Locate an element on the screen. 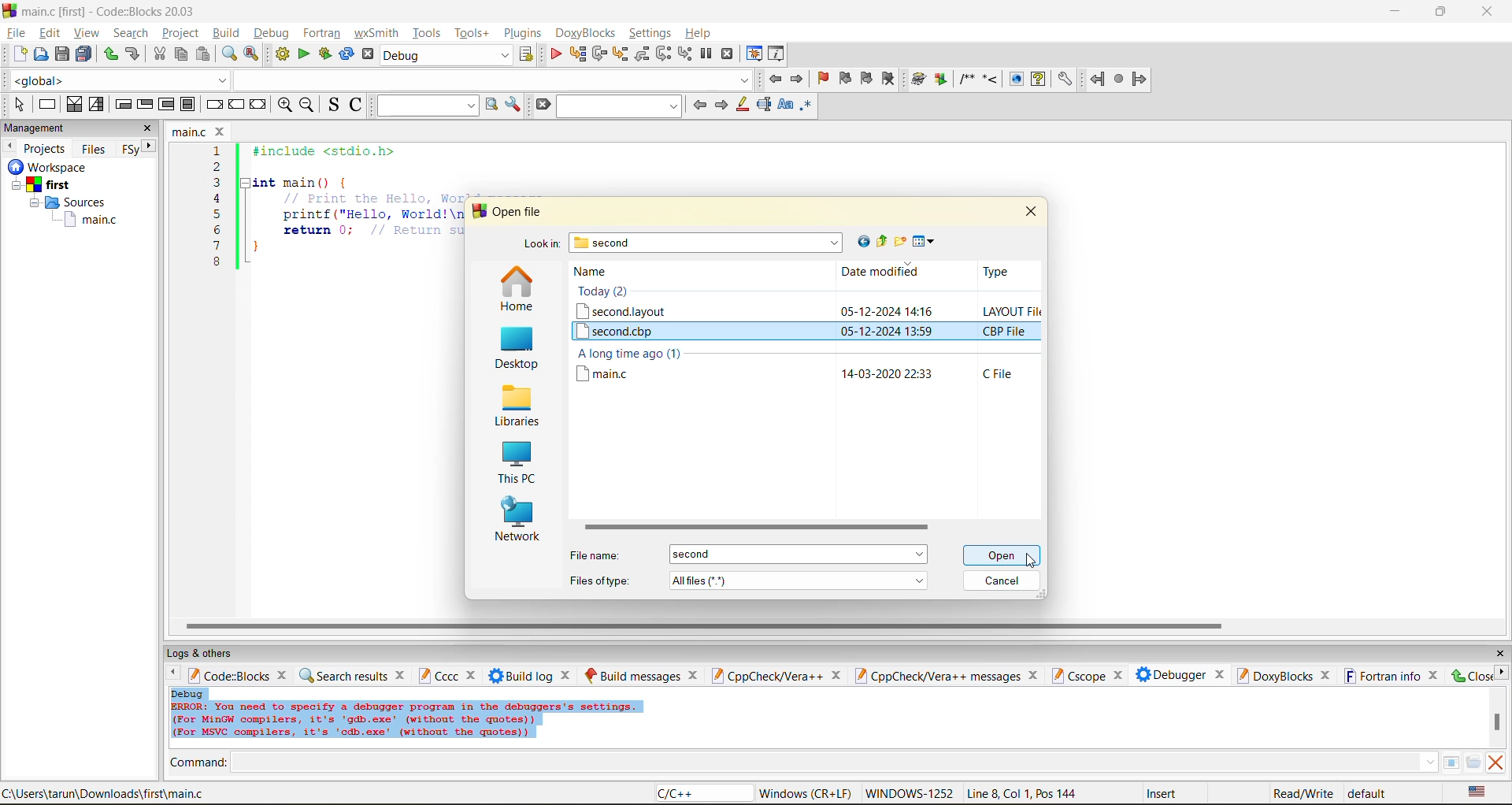  search results is located at coordinates (343, 675).